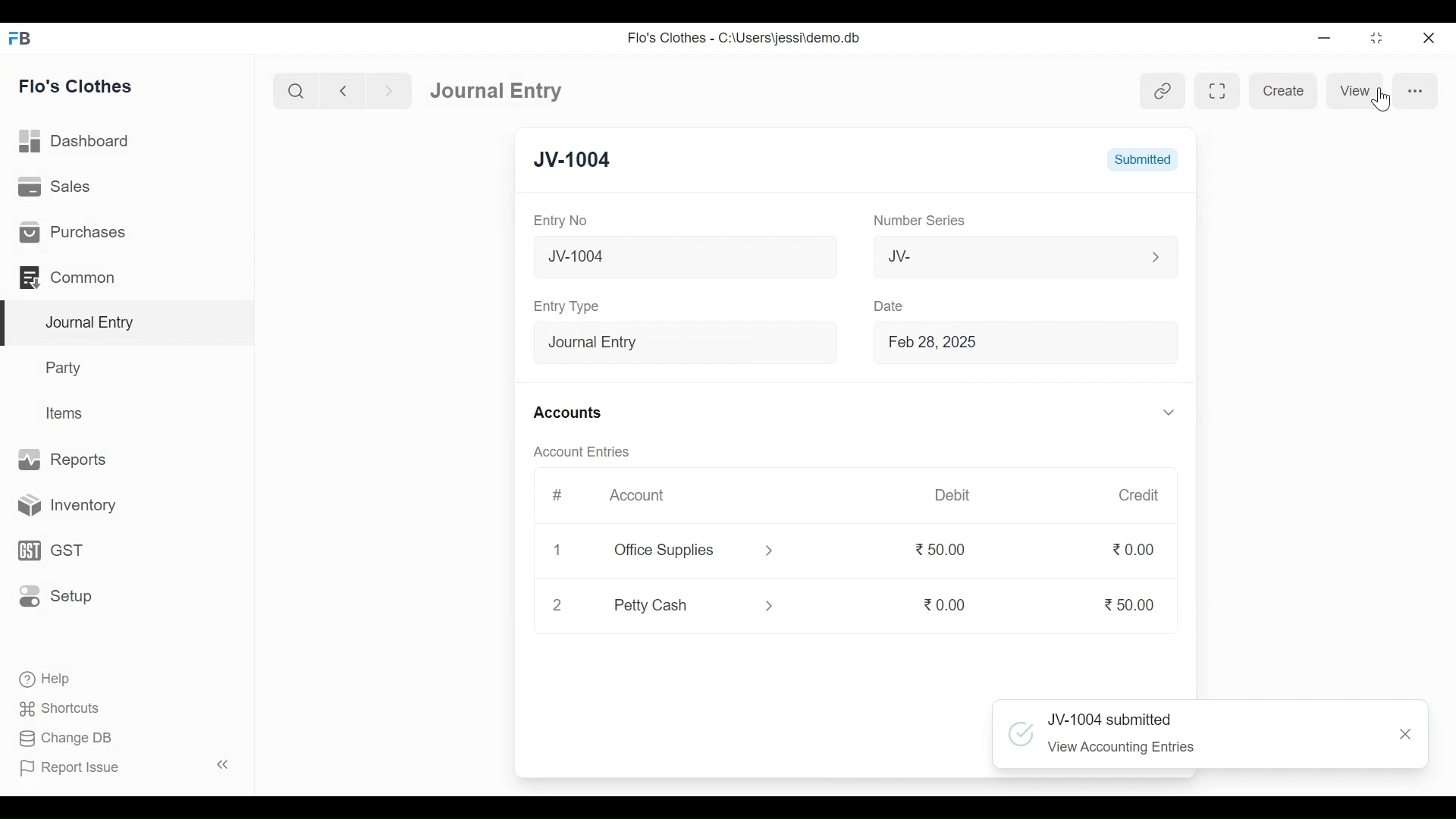  What do you see at coordinates (990, 257) in the screenshot?
I see `JV-` at bounding box center [990, 257].